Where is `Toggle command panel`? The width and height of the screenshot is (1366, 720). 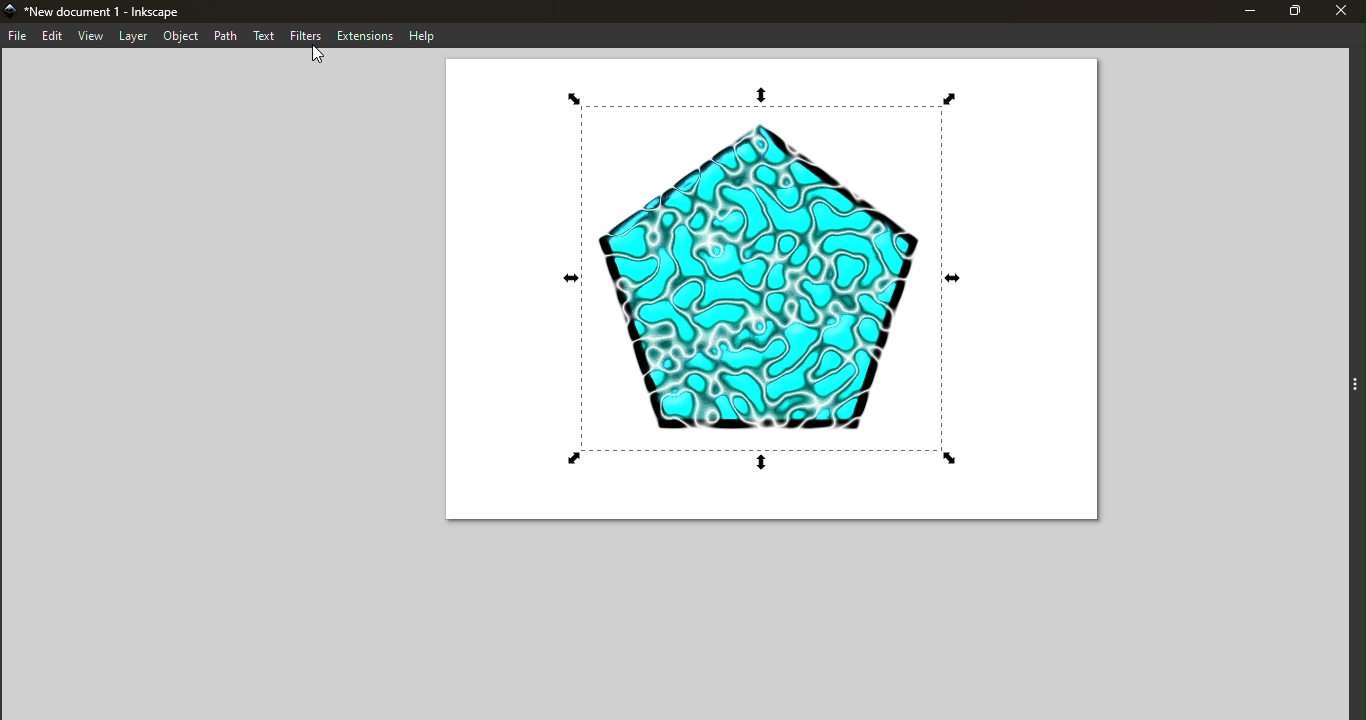
Toggle command panel is located at coordinates (1357, 387).